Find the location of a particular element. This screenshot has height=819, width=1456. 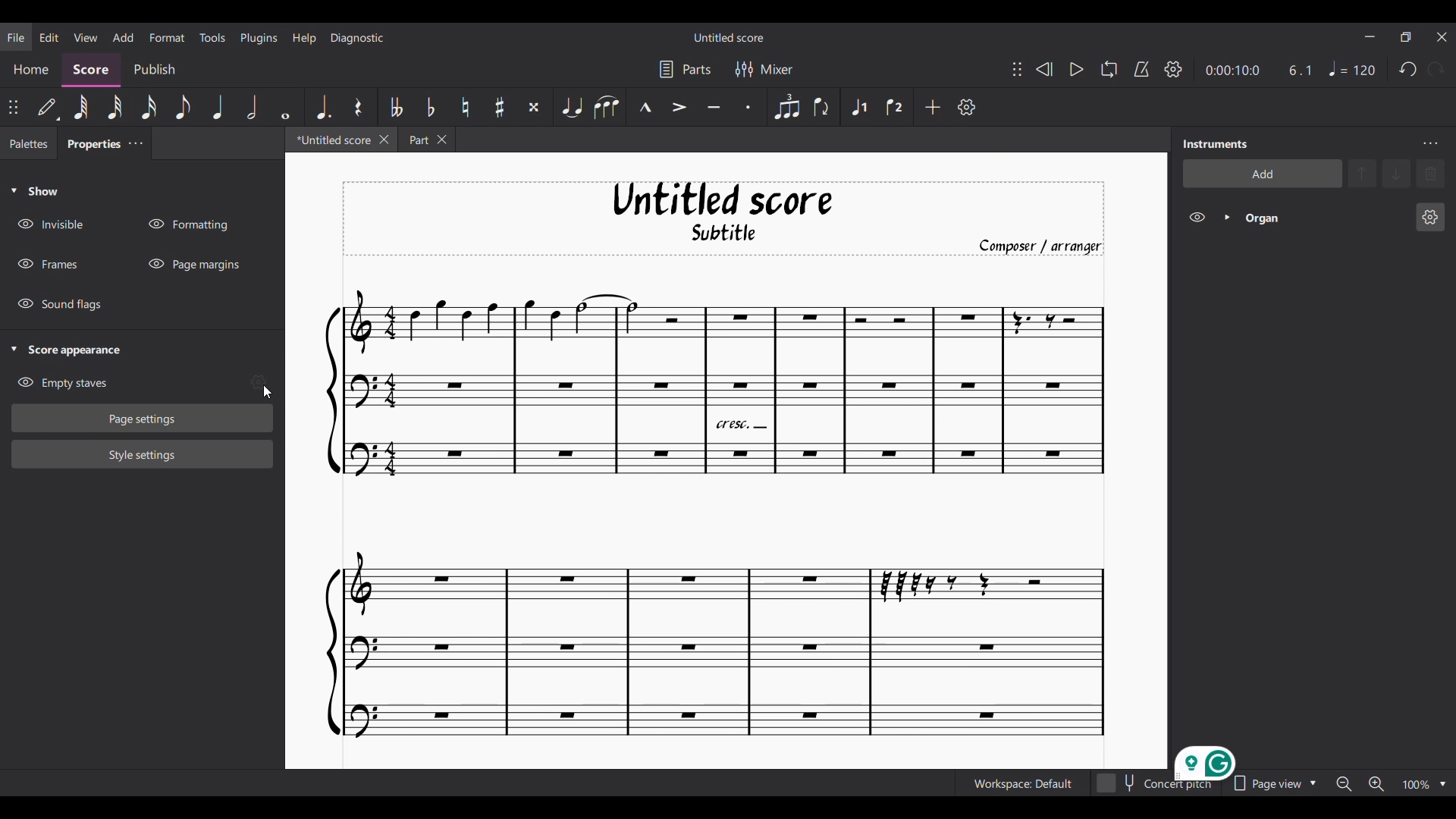

Diagnostic menu is located at coordinates (358, 38).